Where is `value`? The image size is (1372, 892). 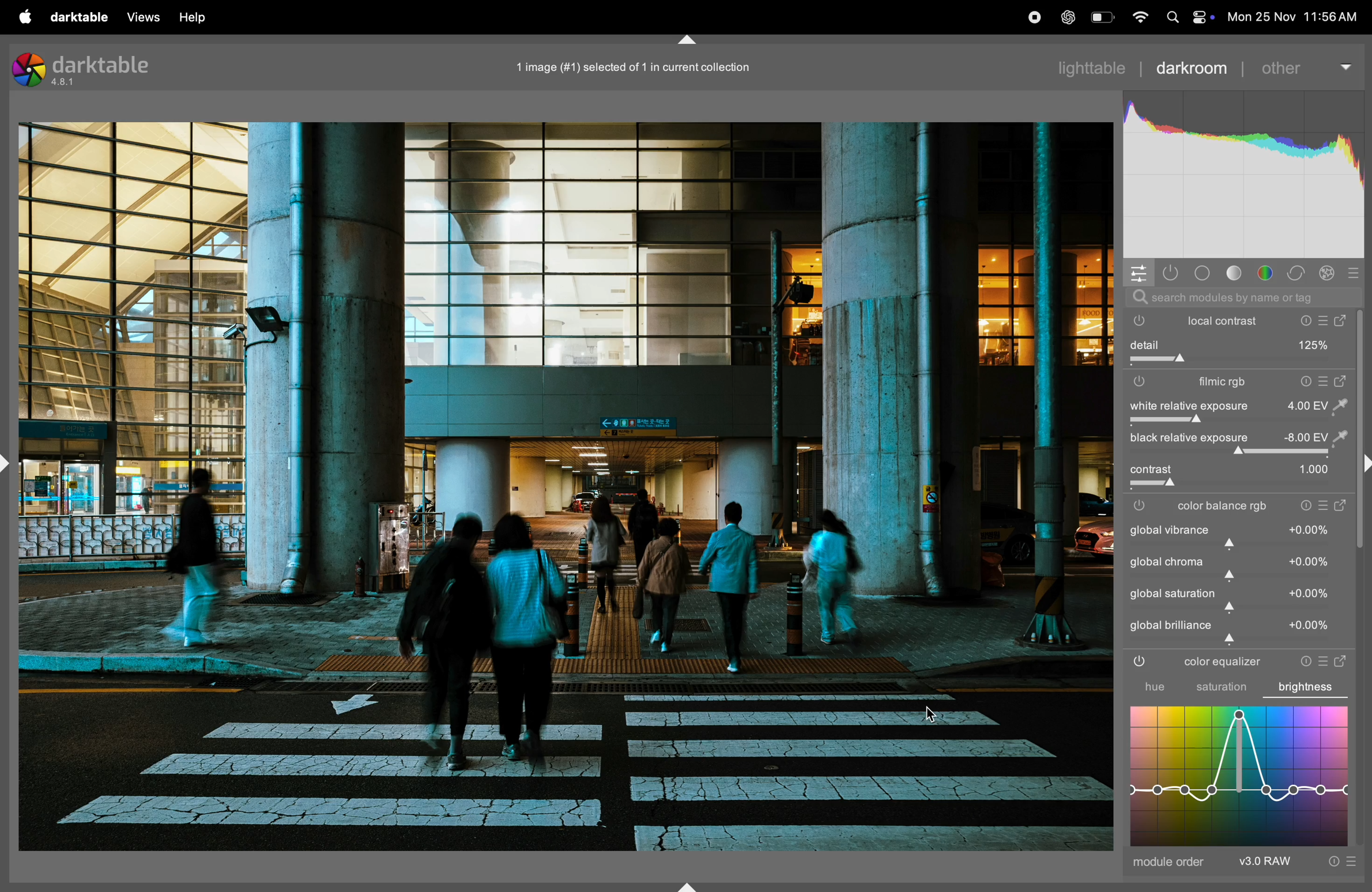 value is located at coordinates (1310, 594).